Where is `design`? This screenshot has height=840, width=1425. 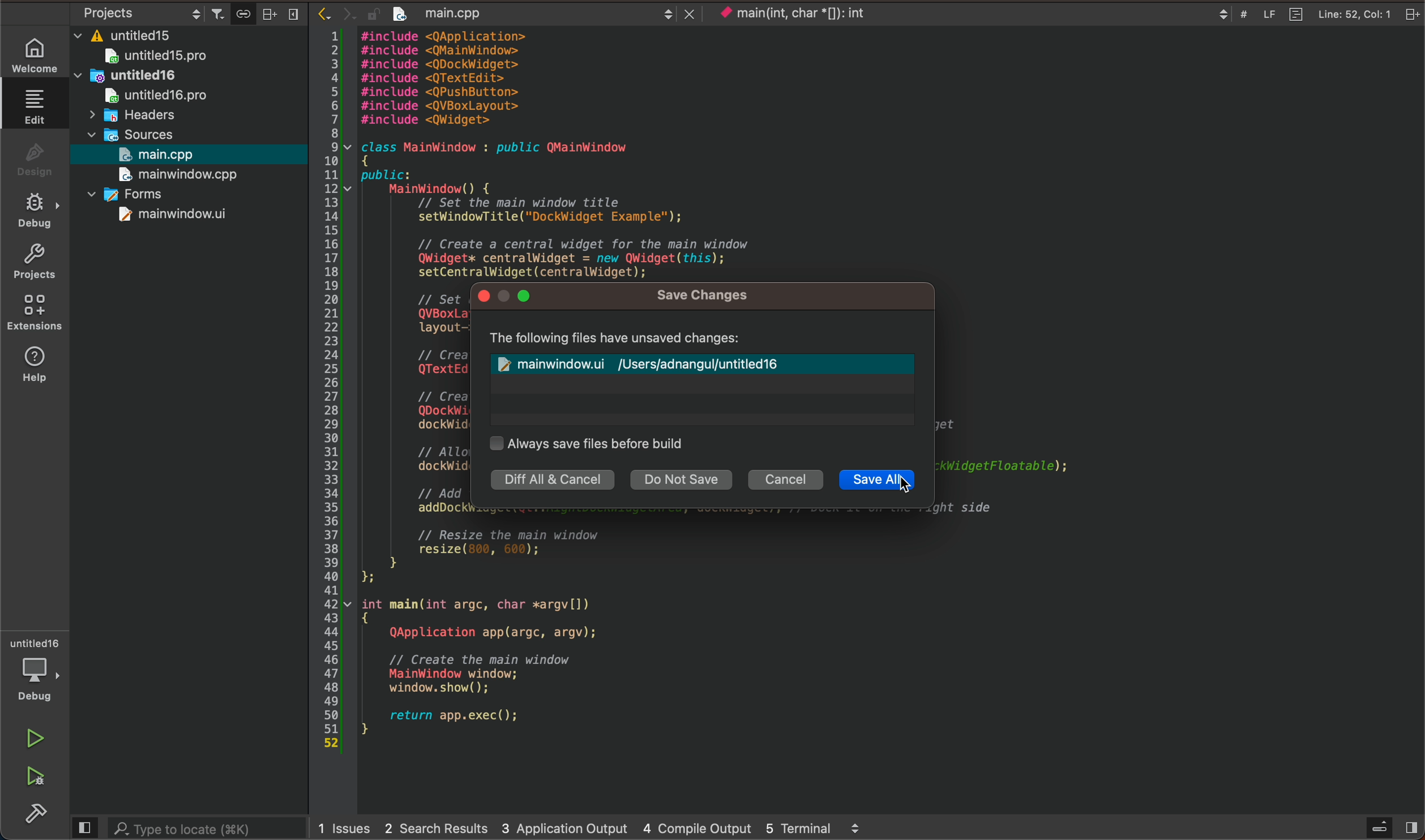
design is located at coordinates (33, 156).